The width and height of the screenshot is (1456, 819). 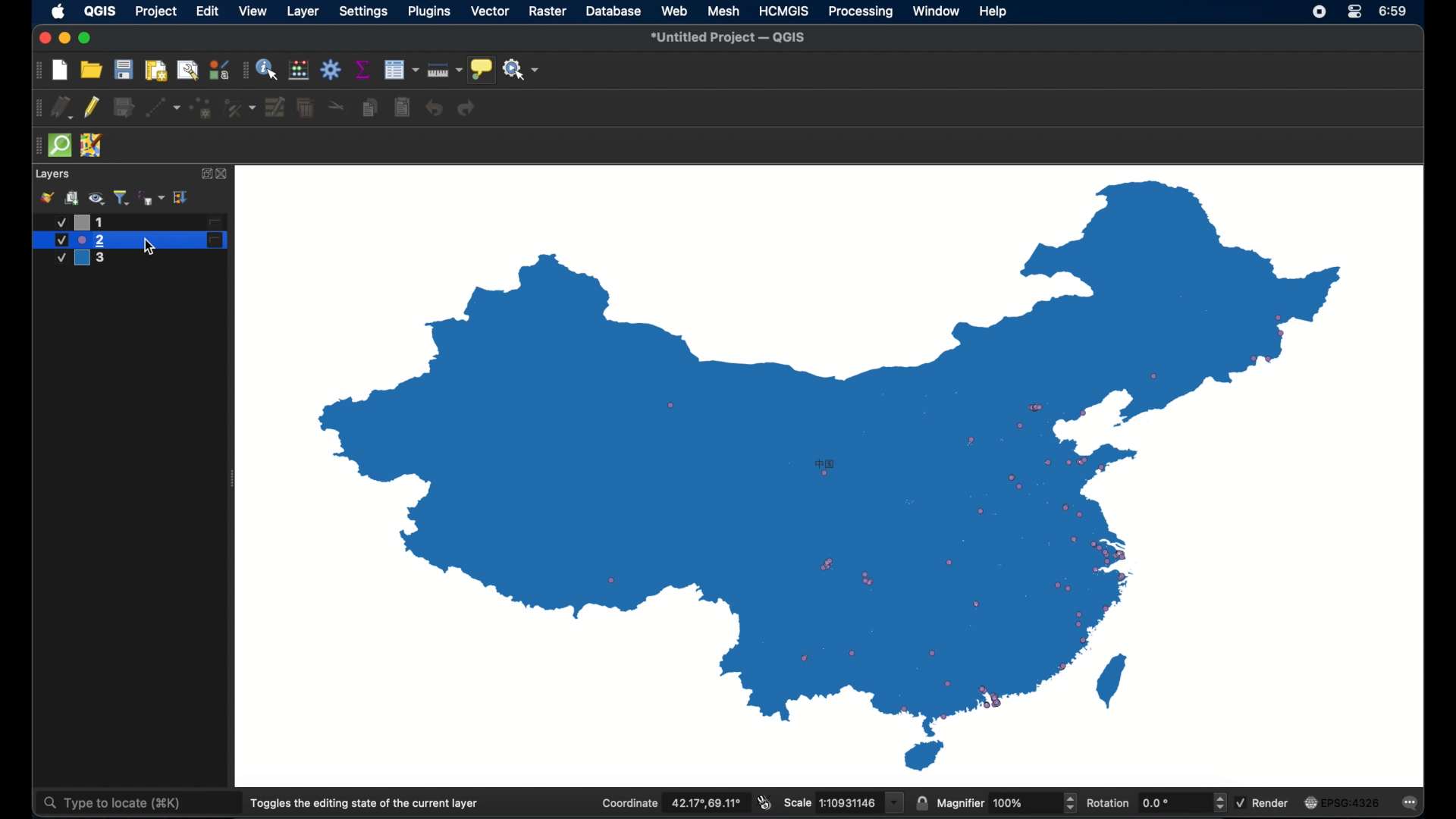 I want to click on web, so click(x=674, y=11).